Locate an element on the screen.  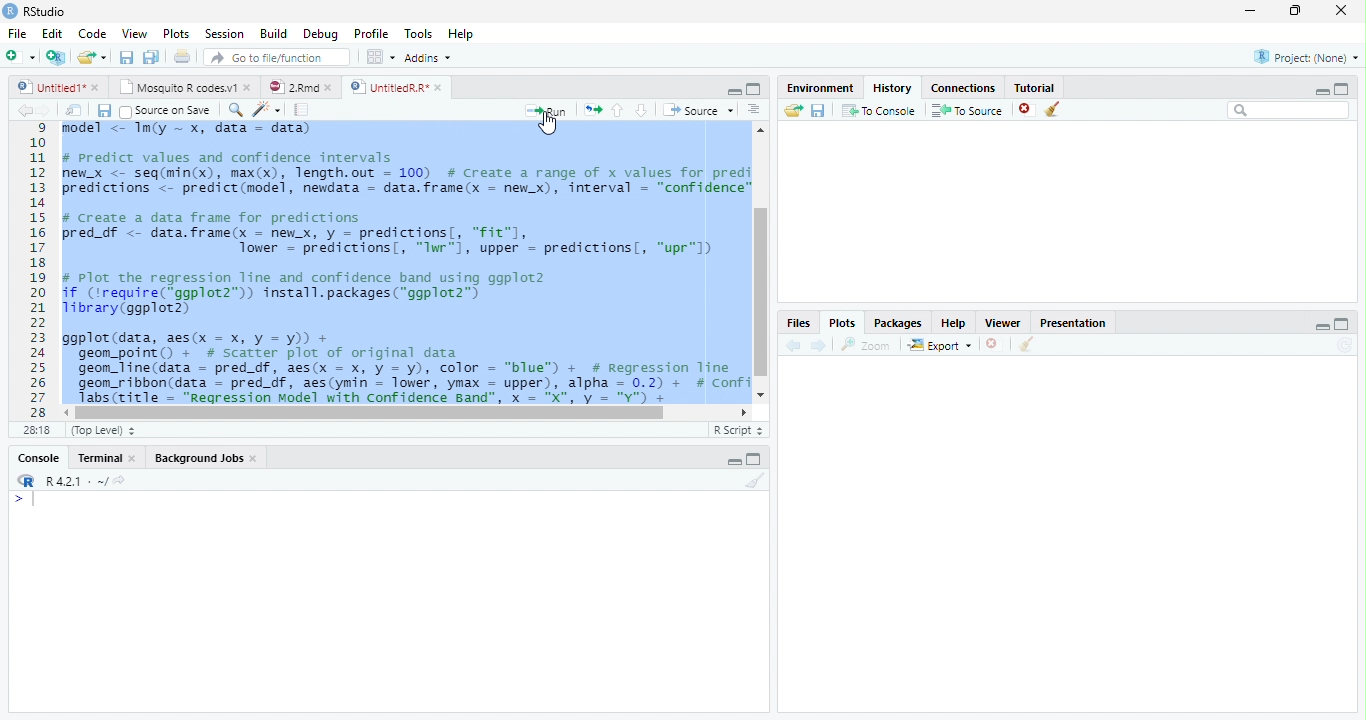
Project (None) is located at coordinates (1307, 56).